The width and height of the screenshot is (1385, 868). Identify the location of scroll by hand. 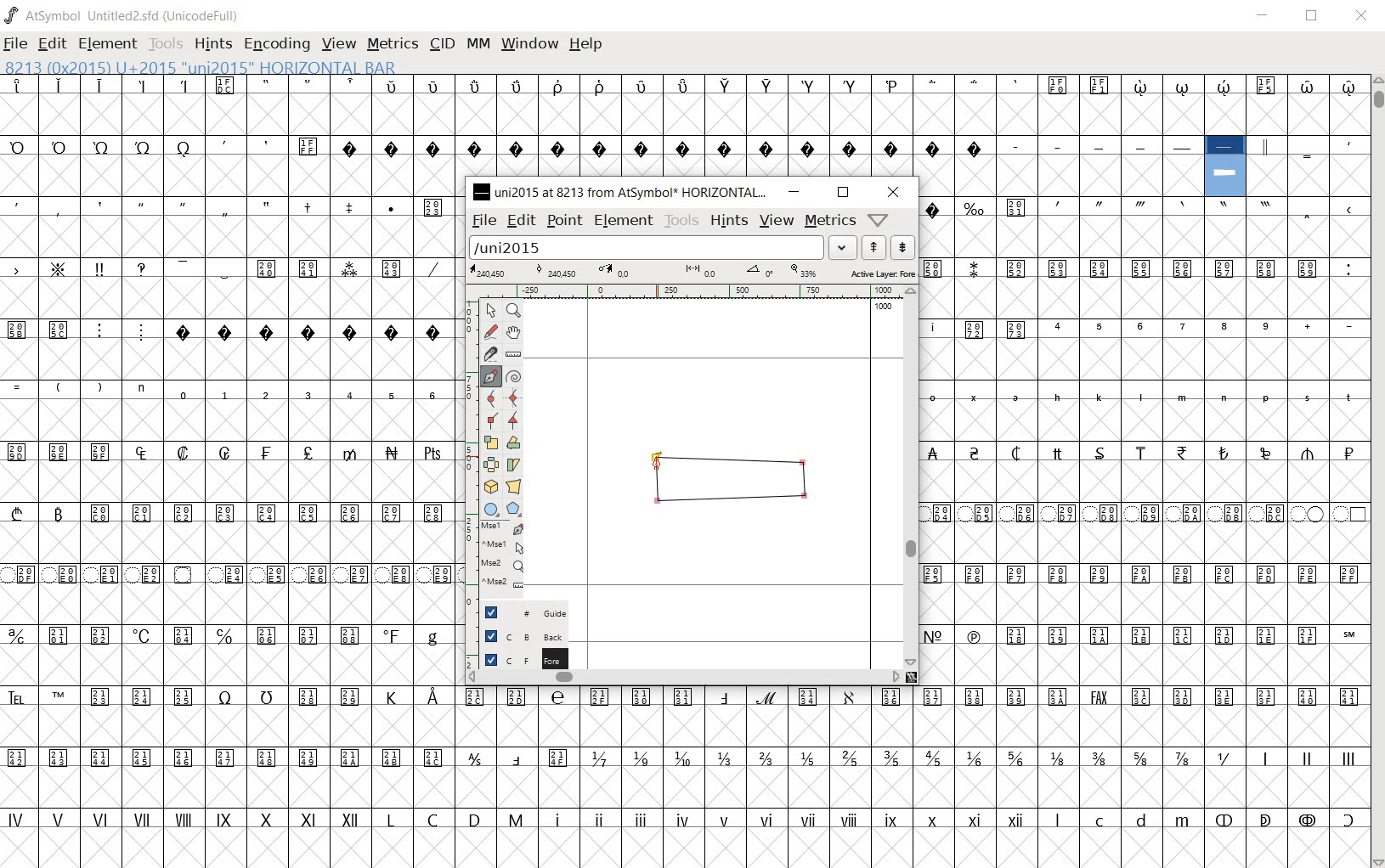
(512, 332).